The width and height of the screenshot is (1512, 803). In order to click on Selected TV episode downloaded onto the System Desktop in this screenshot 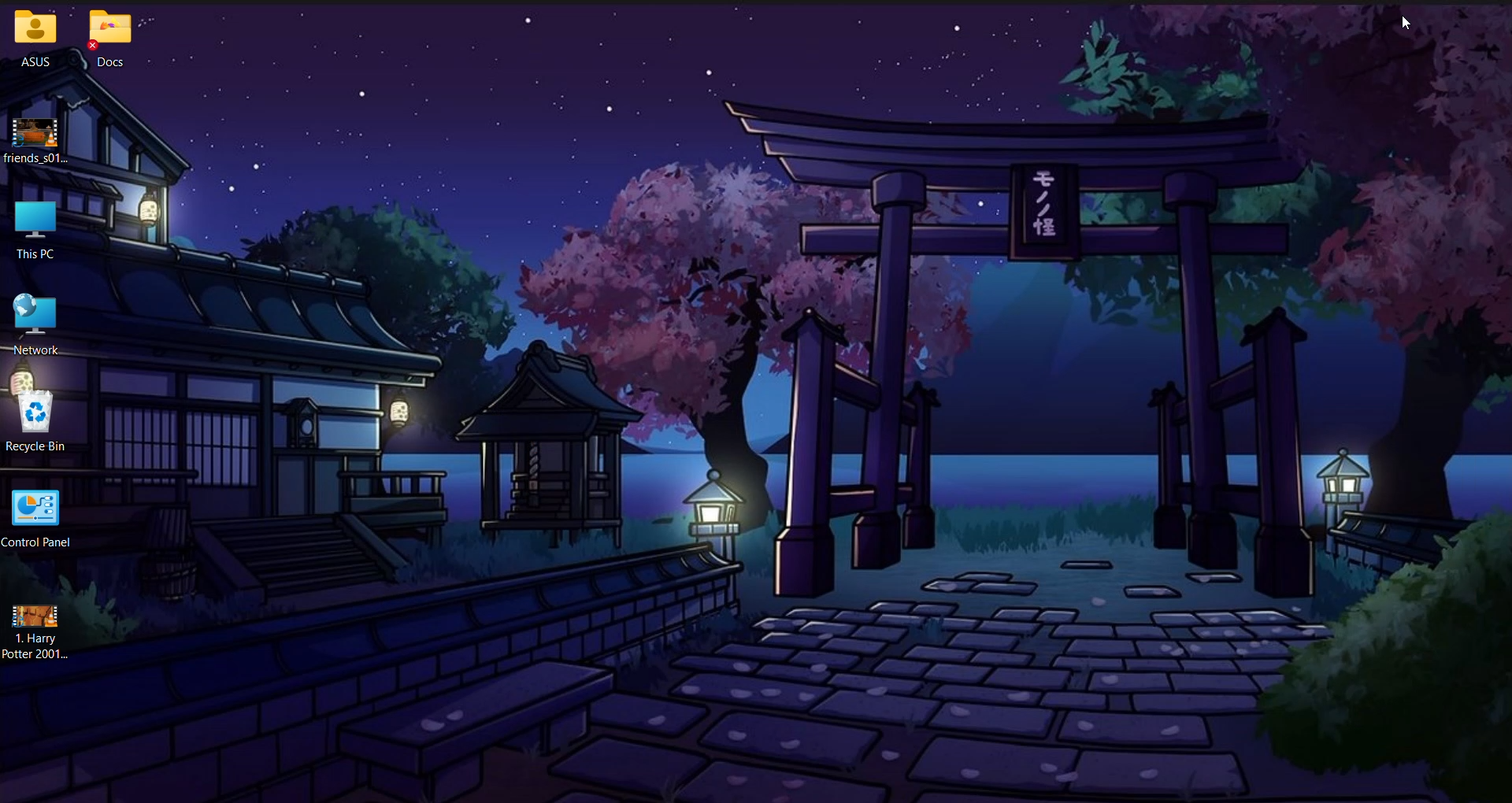, I will do `click(36, 140)`.